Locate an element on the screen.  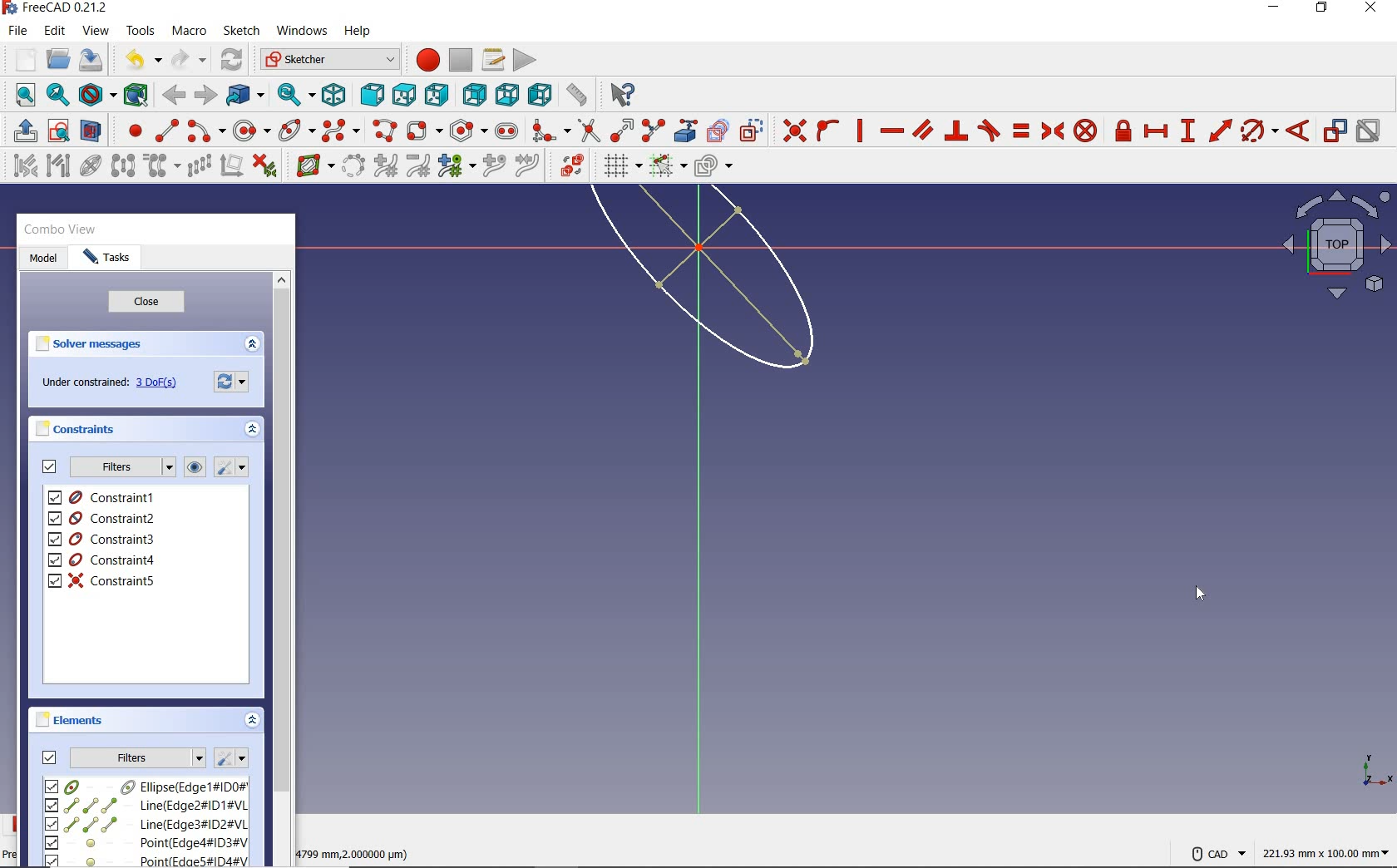
constrain horizontal distance is located at coordinates (1155, 130).